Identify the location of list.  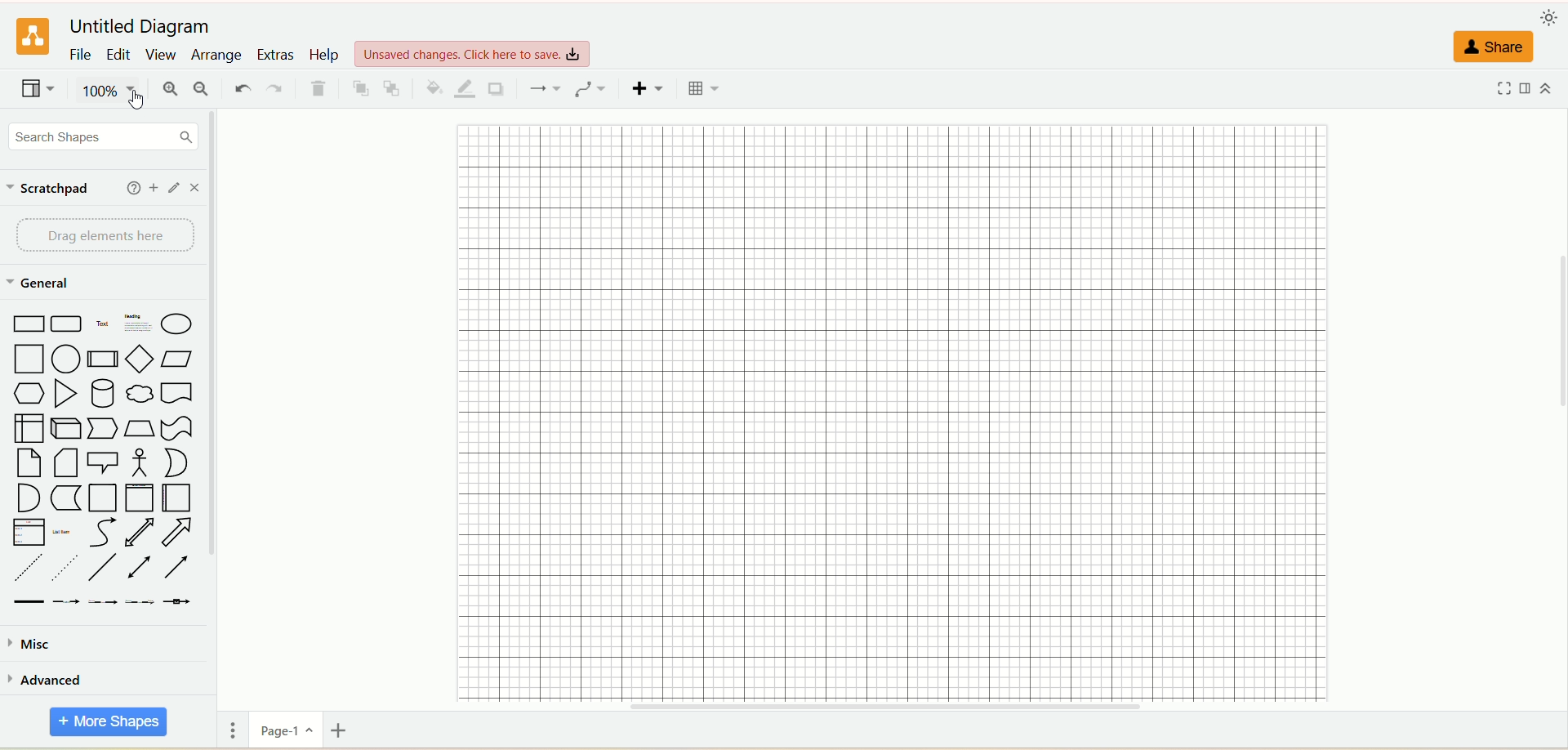
(26, 532).